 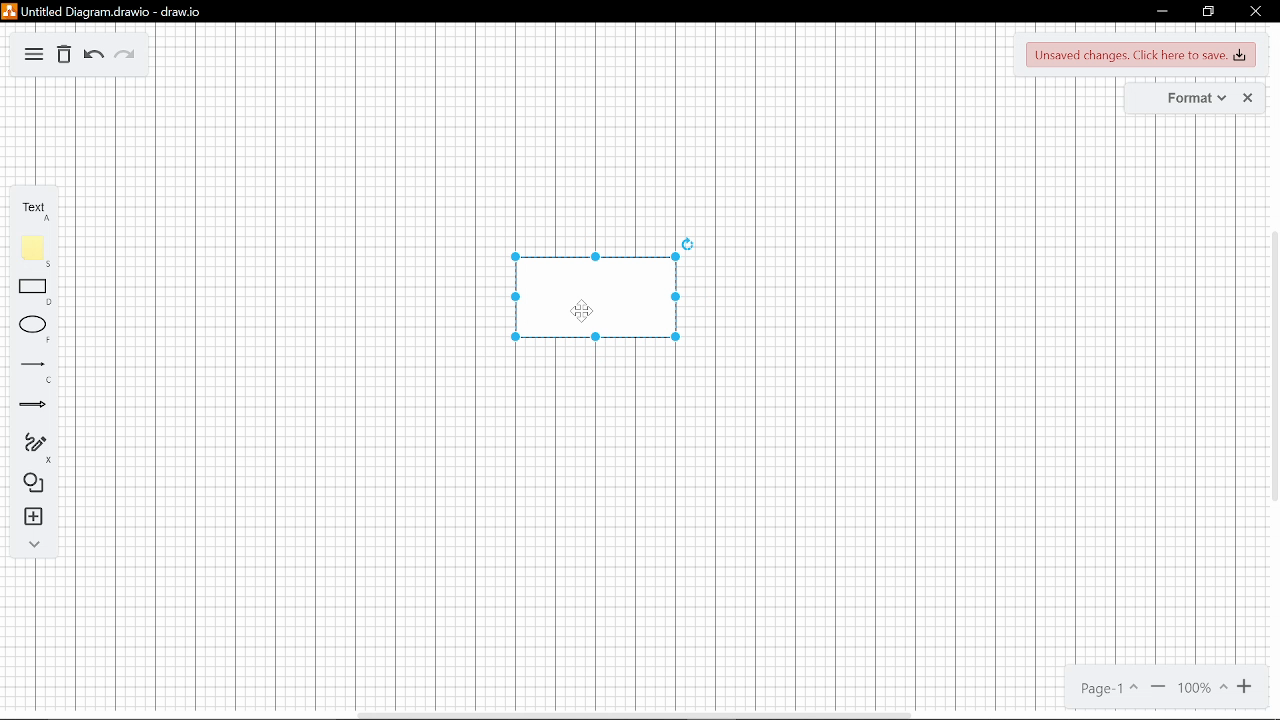 What do you see at coordinates (31, 56) in the screenshot?
I see `menu` at bounding box center [31, 56].